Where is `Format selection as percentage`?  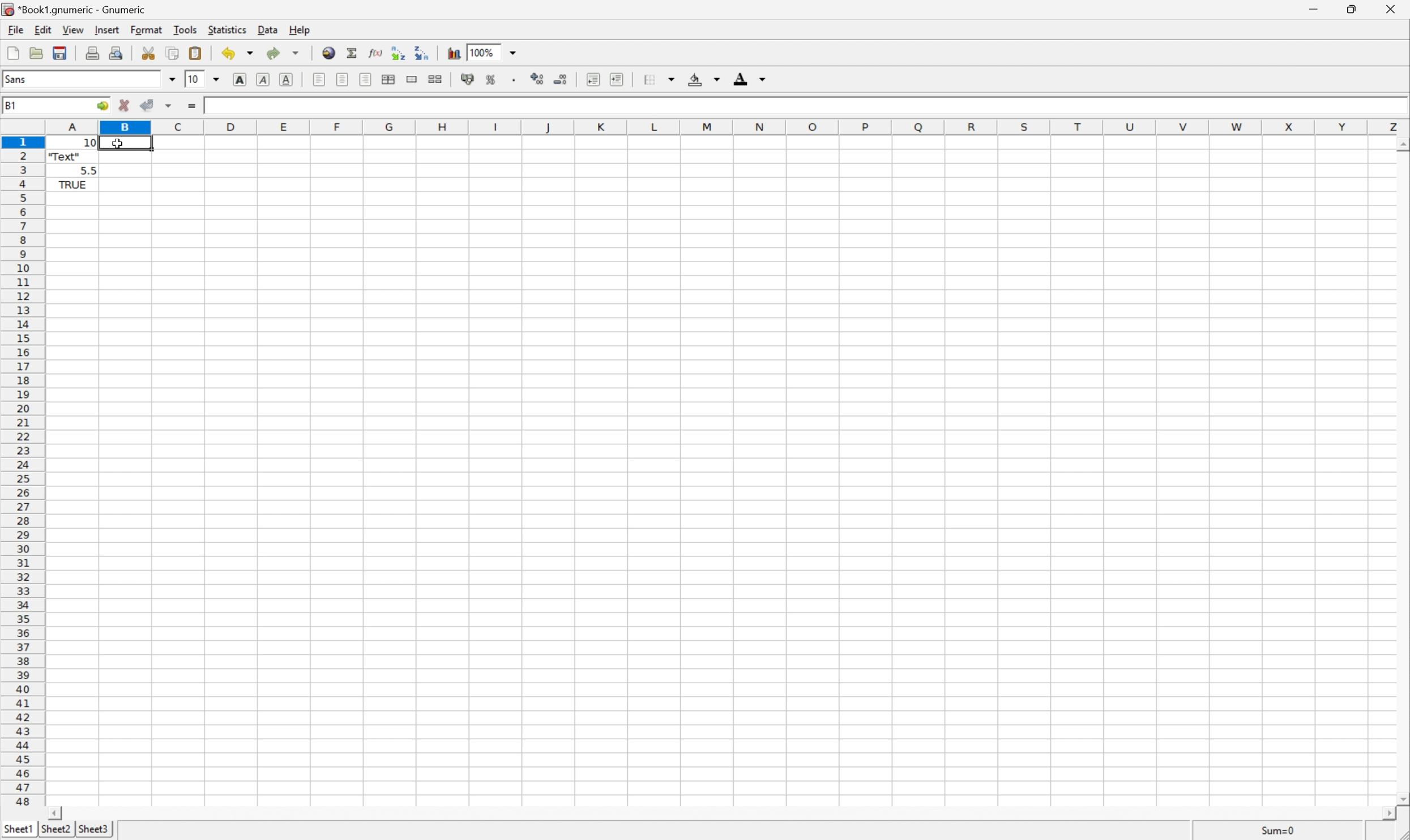 Format selection as percentage is located at coordinates (490, 79).